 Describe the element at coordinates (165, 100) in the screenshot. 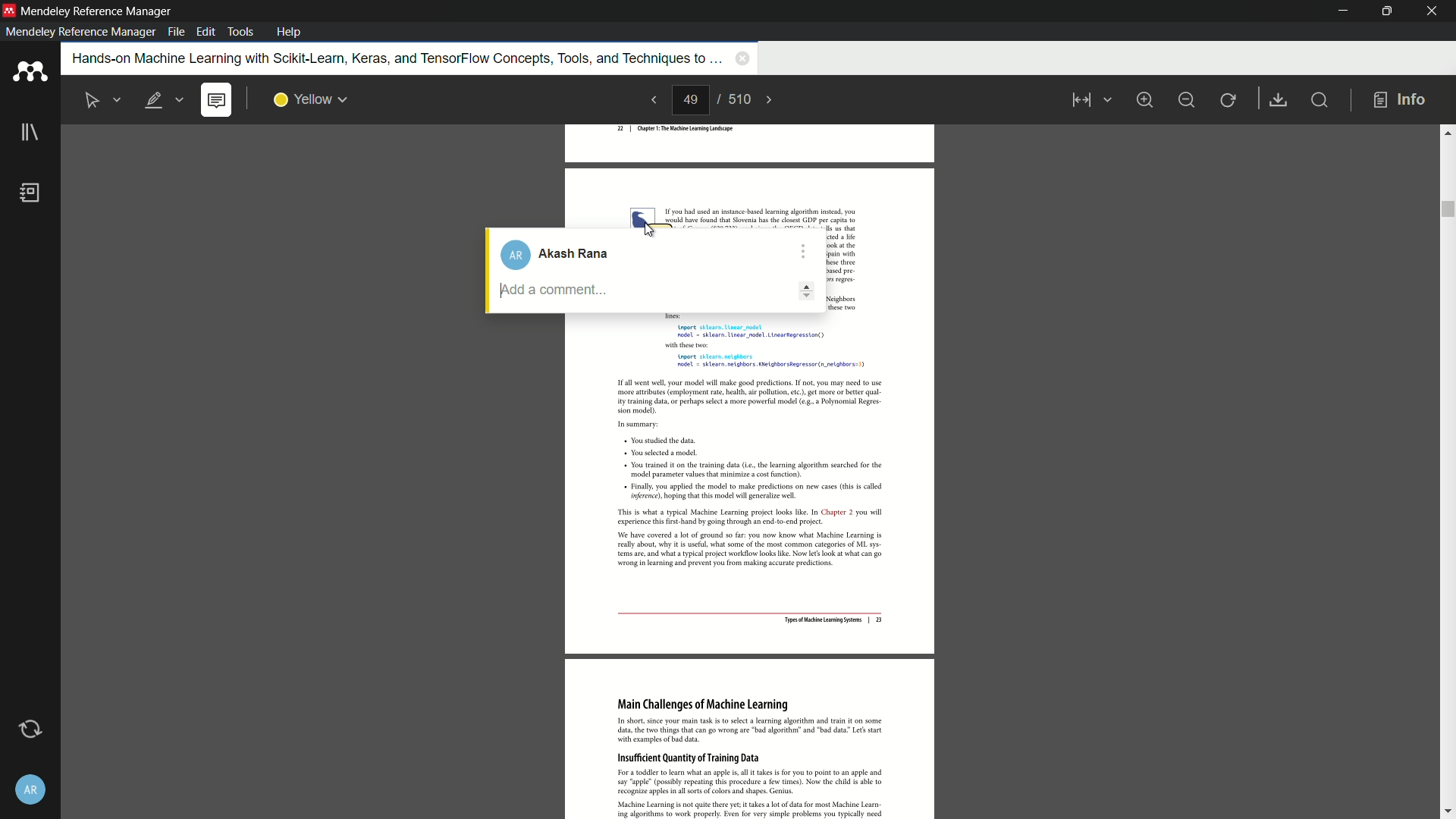

I see `highlight text` at that location.